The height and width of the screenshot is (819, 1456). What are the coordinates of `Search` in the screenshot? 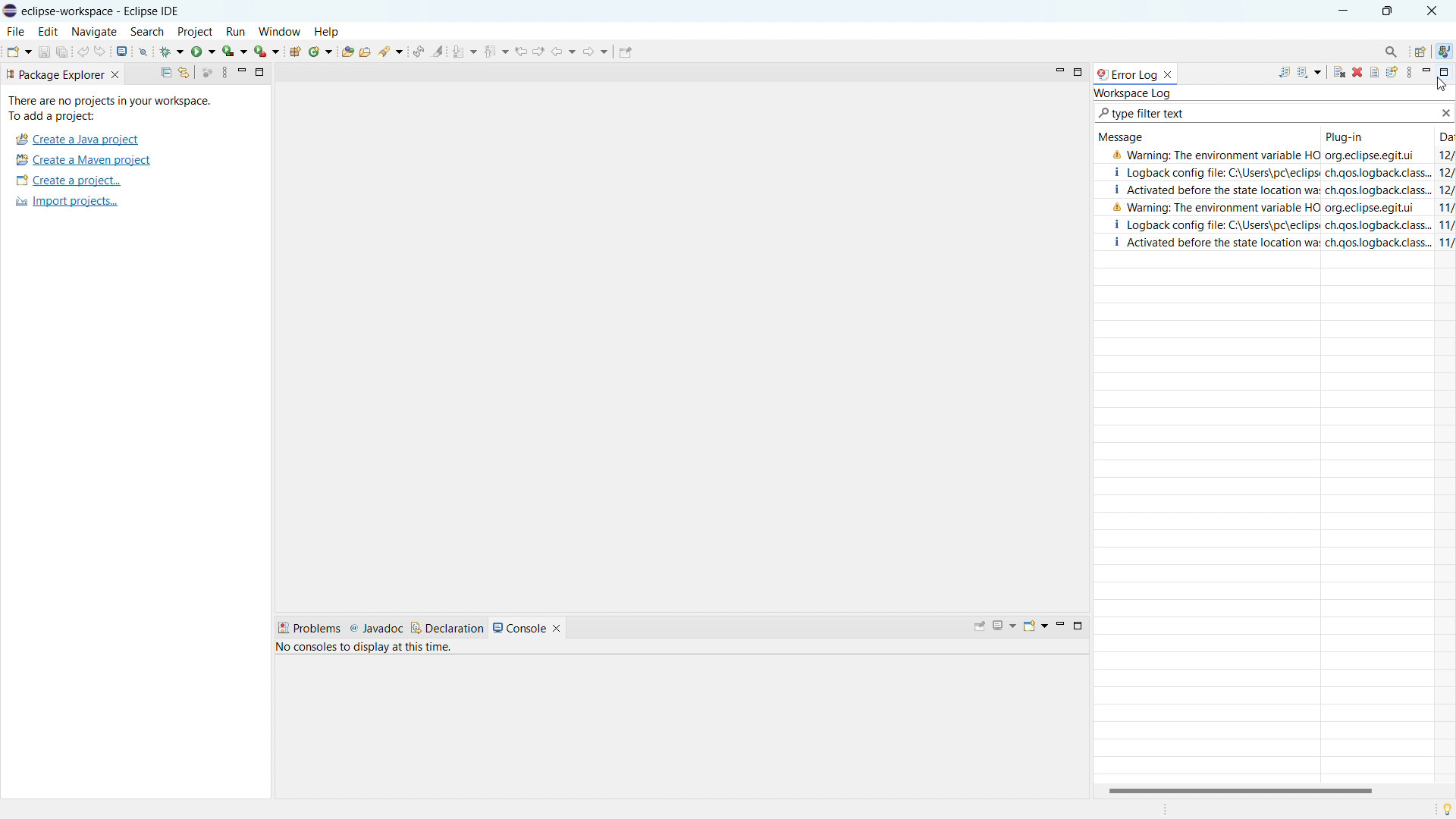 It's located at (1387, 50).